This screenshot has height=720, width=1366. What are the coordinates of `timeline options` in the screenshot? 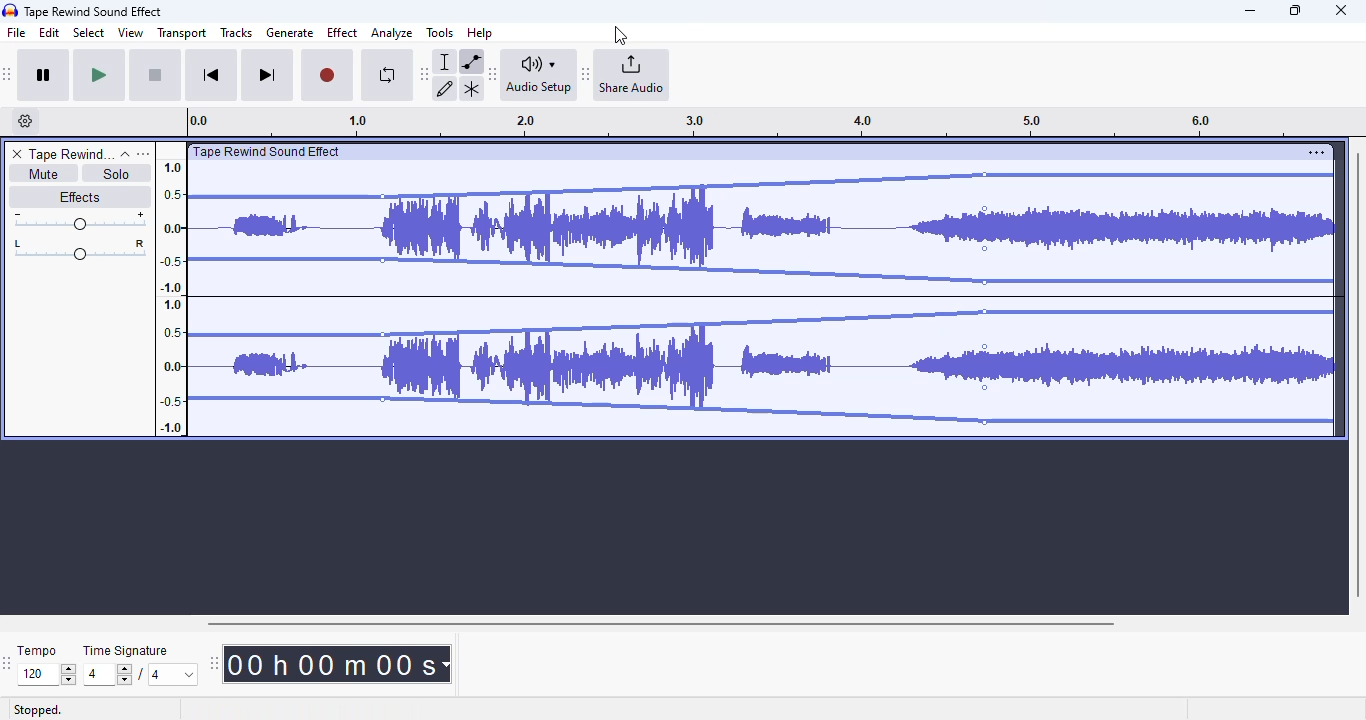 It's located at (26, 121).